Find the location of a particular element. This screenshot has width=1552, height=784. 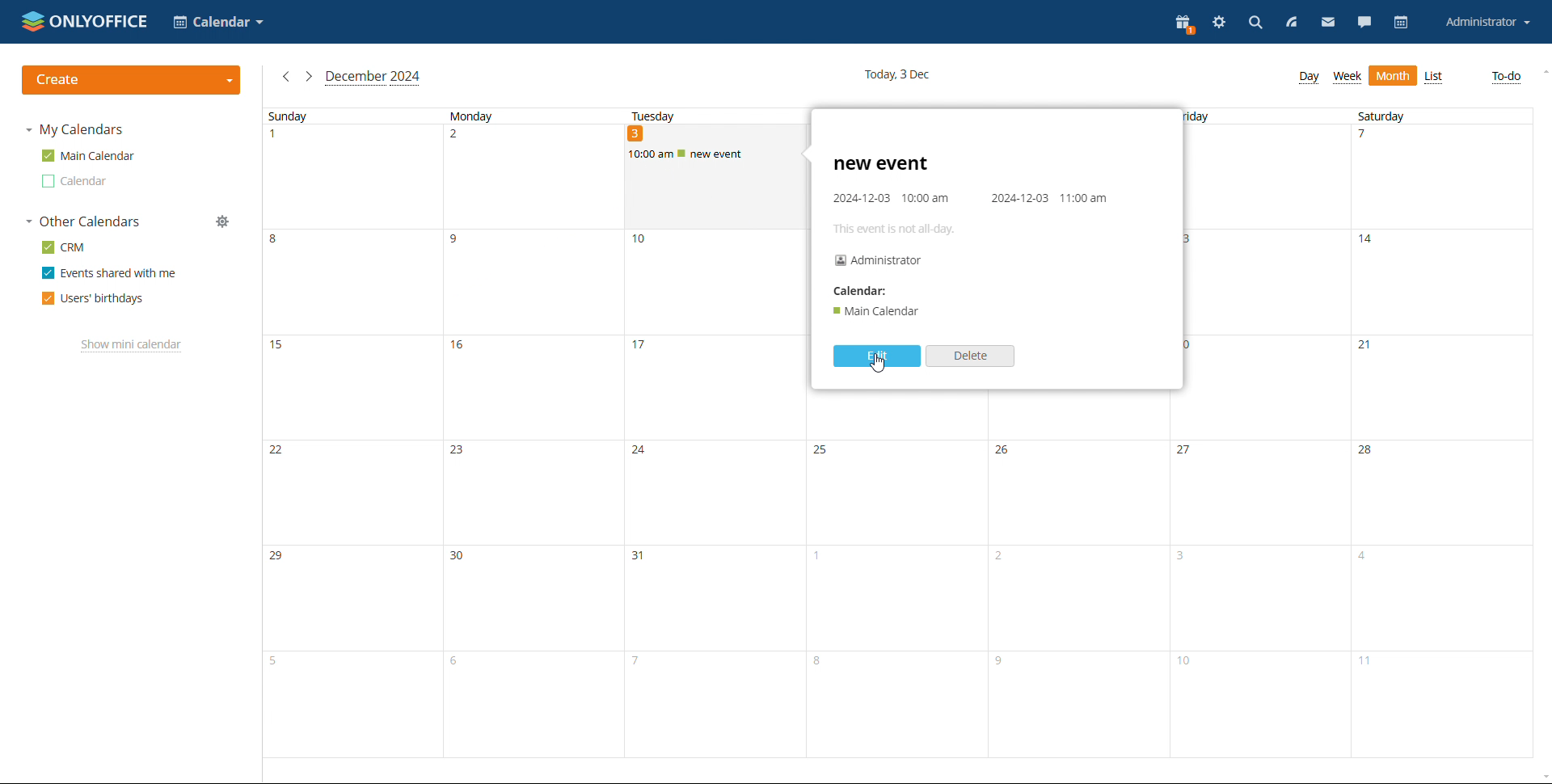

2 is located at coordinates (1077, 597).